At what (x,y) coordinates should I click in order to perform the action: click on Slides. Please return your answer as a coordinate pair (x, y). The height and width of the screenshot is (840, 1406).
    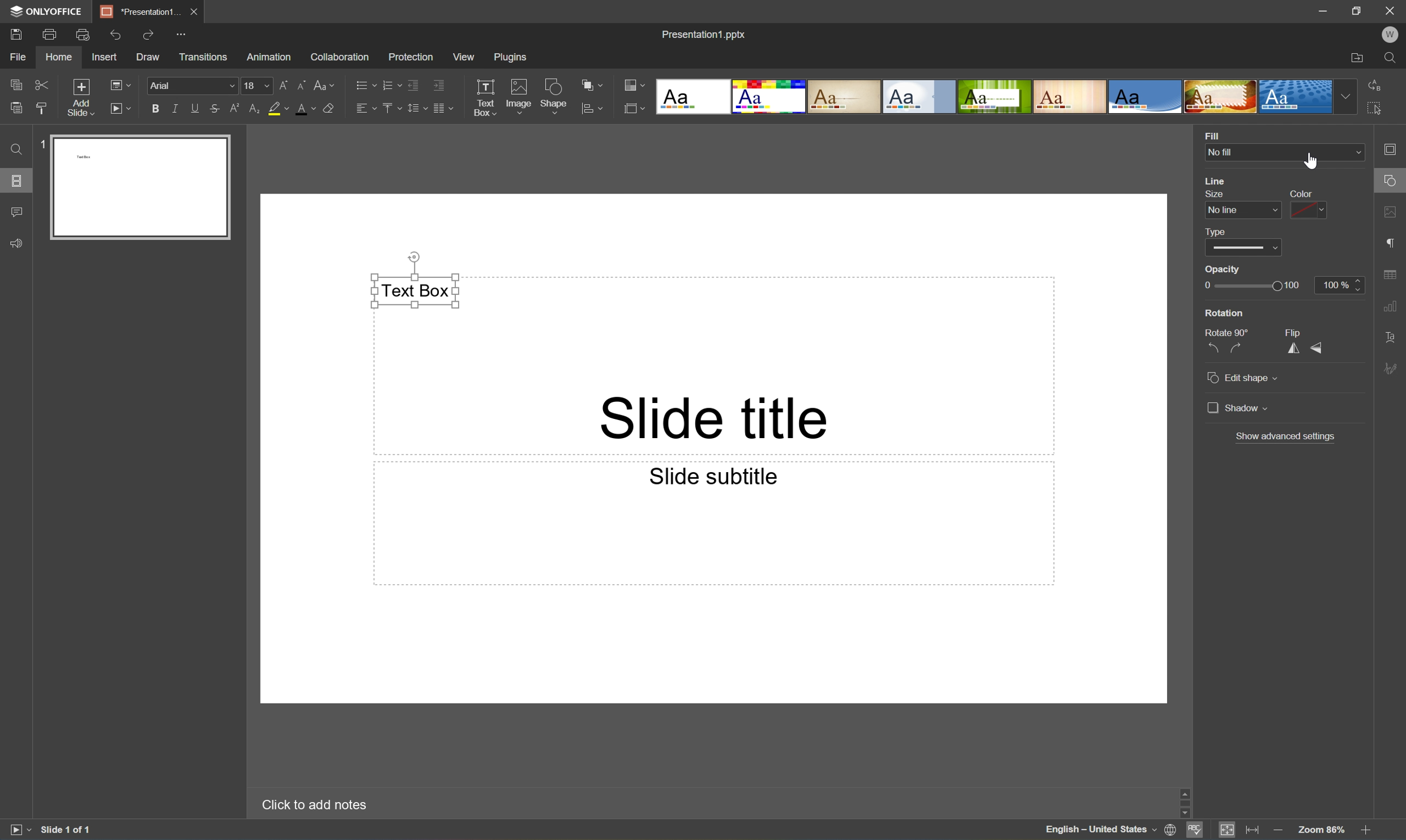
    Looking at the image, I should click on (15, 182).